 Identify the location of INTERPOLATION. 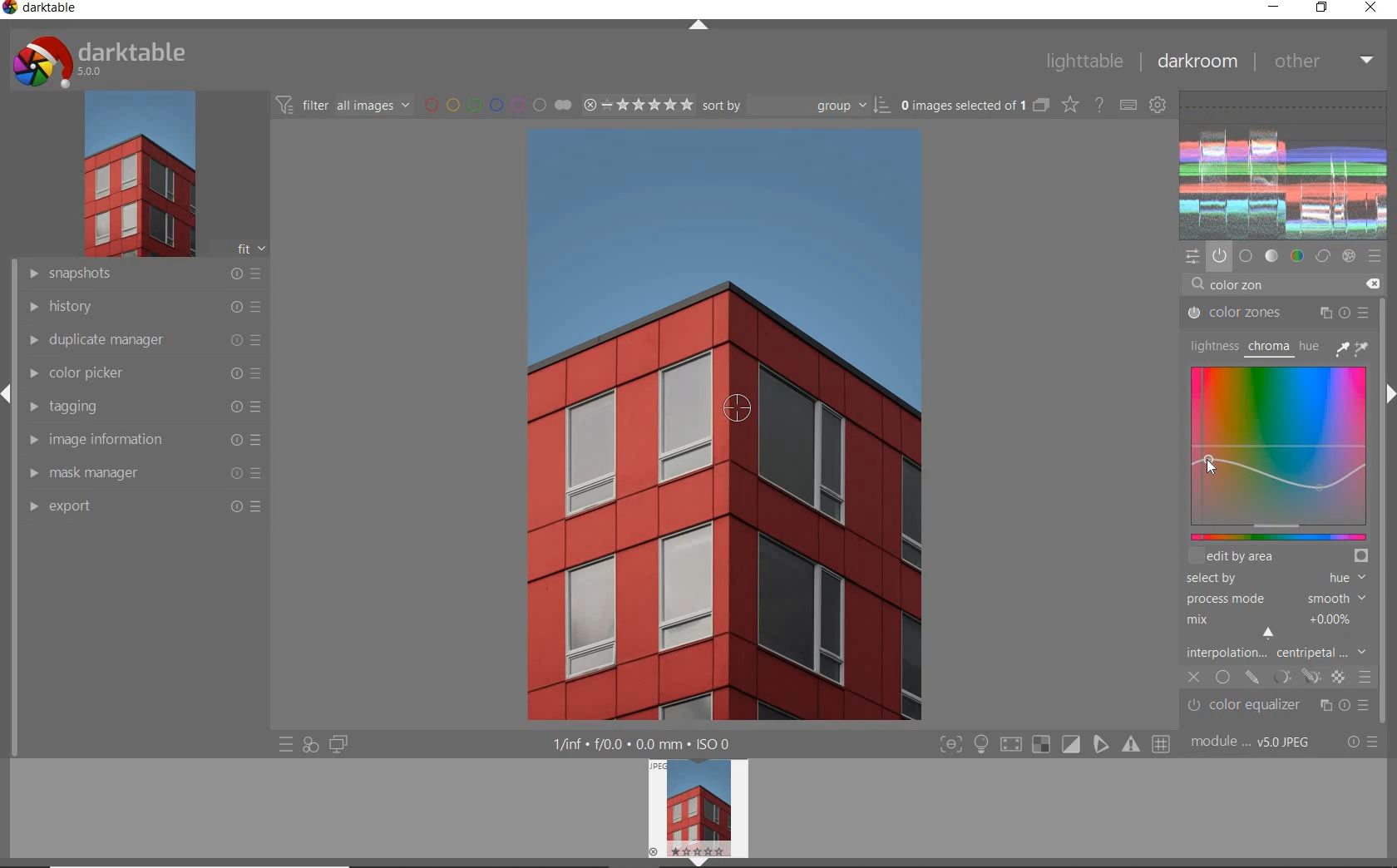
(1276, 652).